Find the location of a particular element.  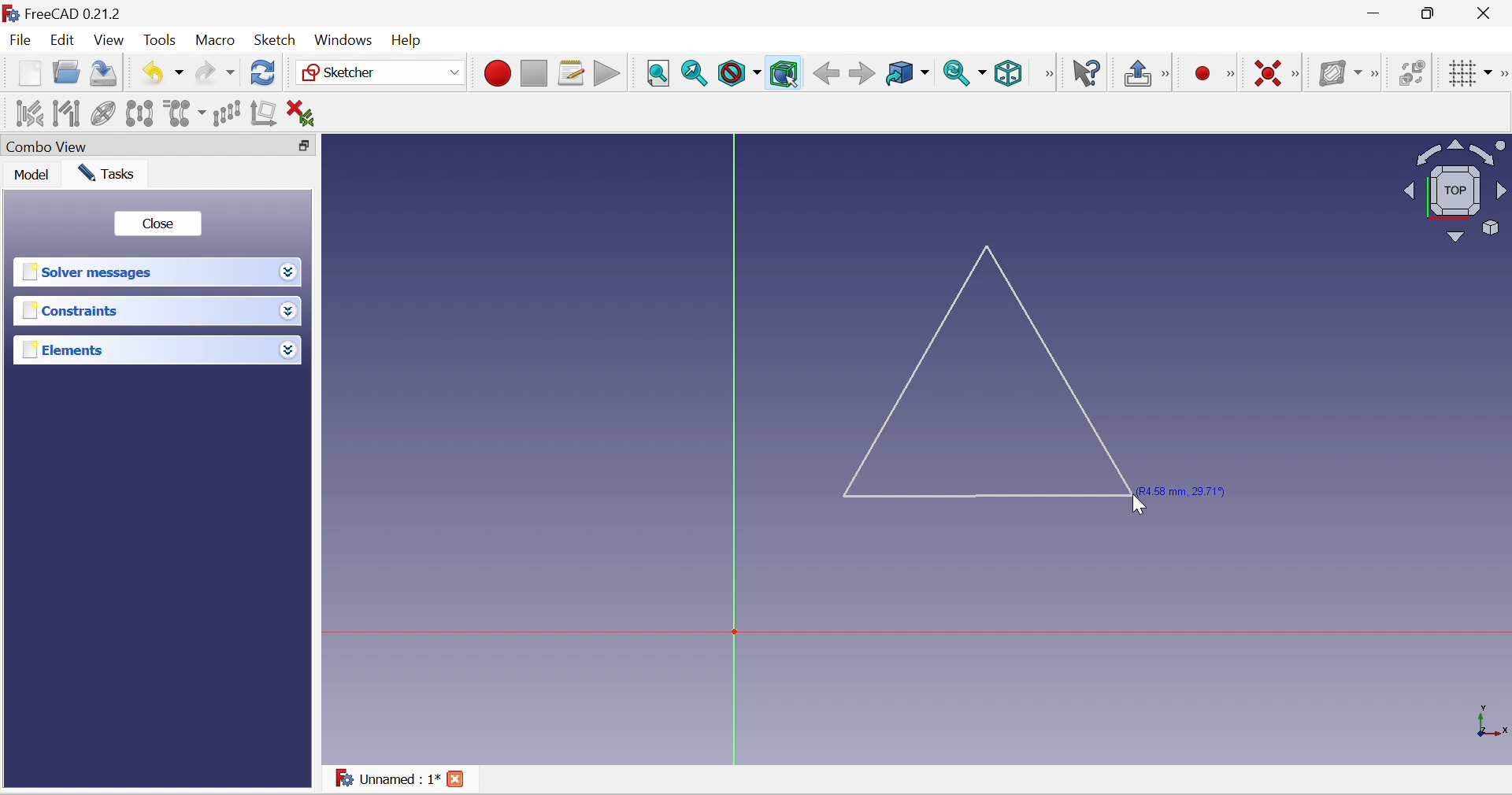

Clone is located at coordinates (184, 115).